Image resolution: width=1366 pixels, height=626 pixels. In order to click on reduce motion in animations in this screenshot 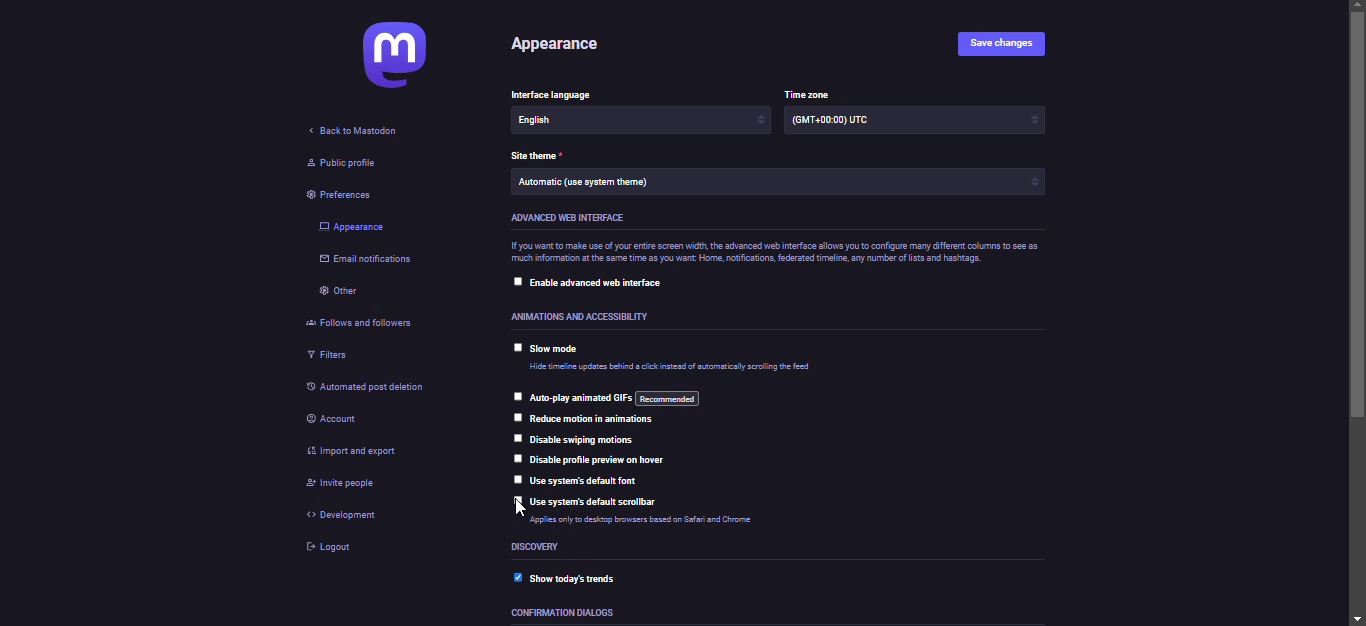, I will do `click(596, 420)`.